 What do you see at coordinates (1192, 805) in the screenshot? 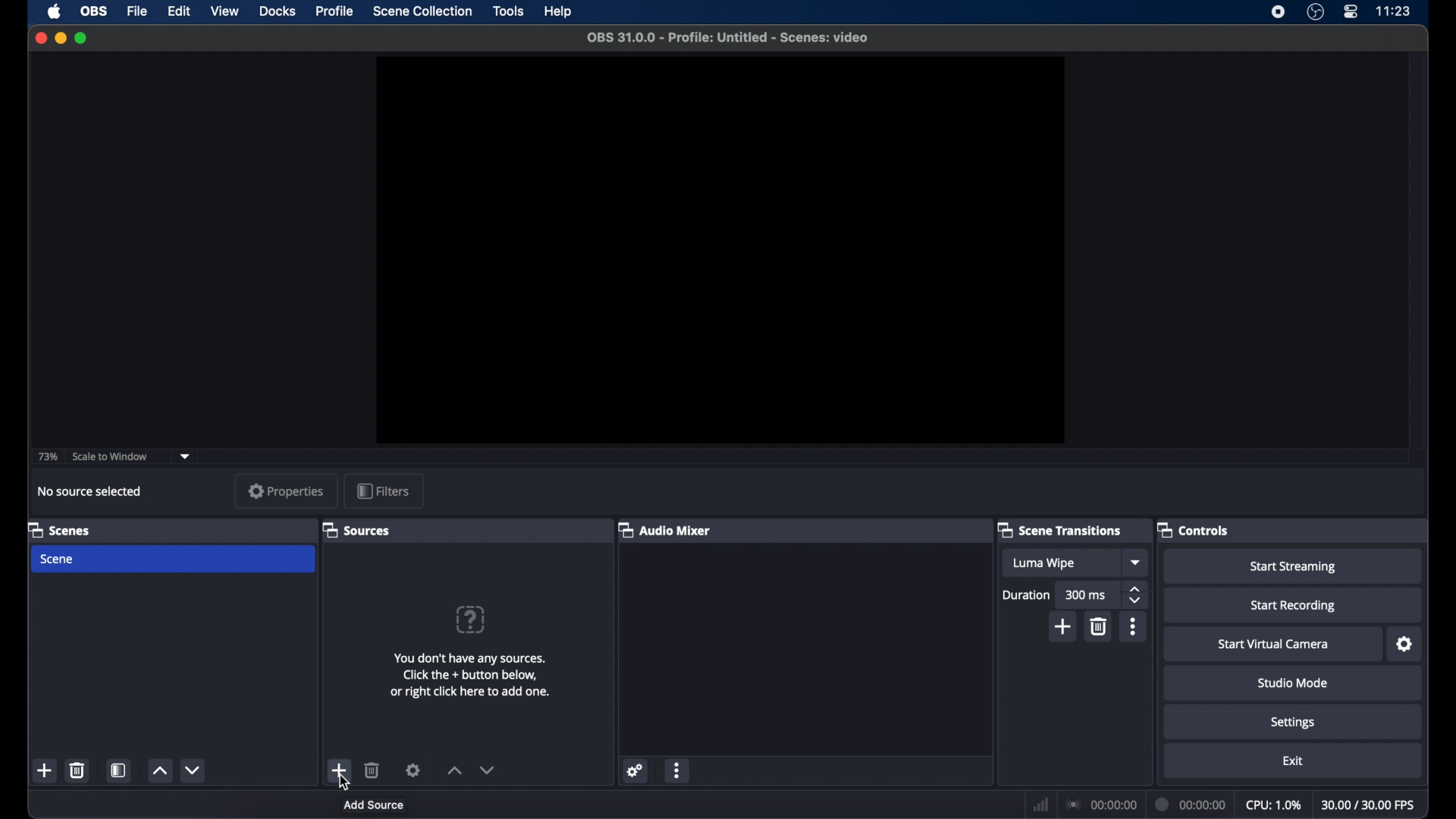
I see `duration` at bounding box center [1192, 805].